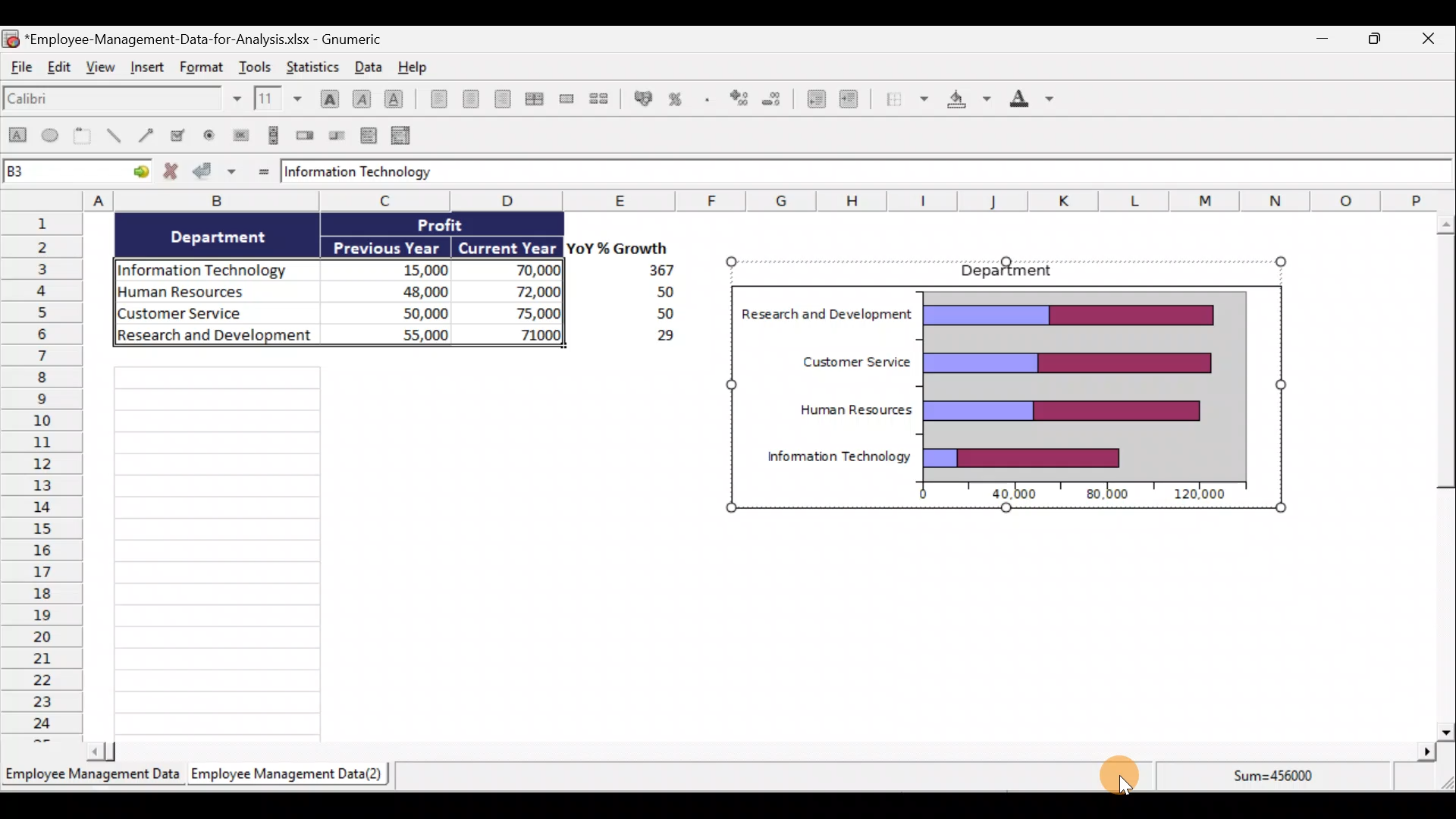 The height and width of the screenshot is (819, 1456). I want to click on Italic, so click(362, 97).